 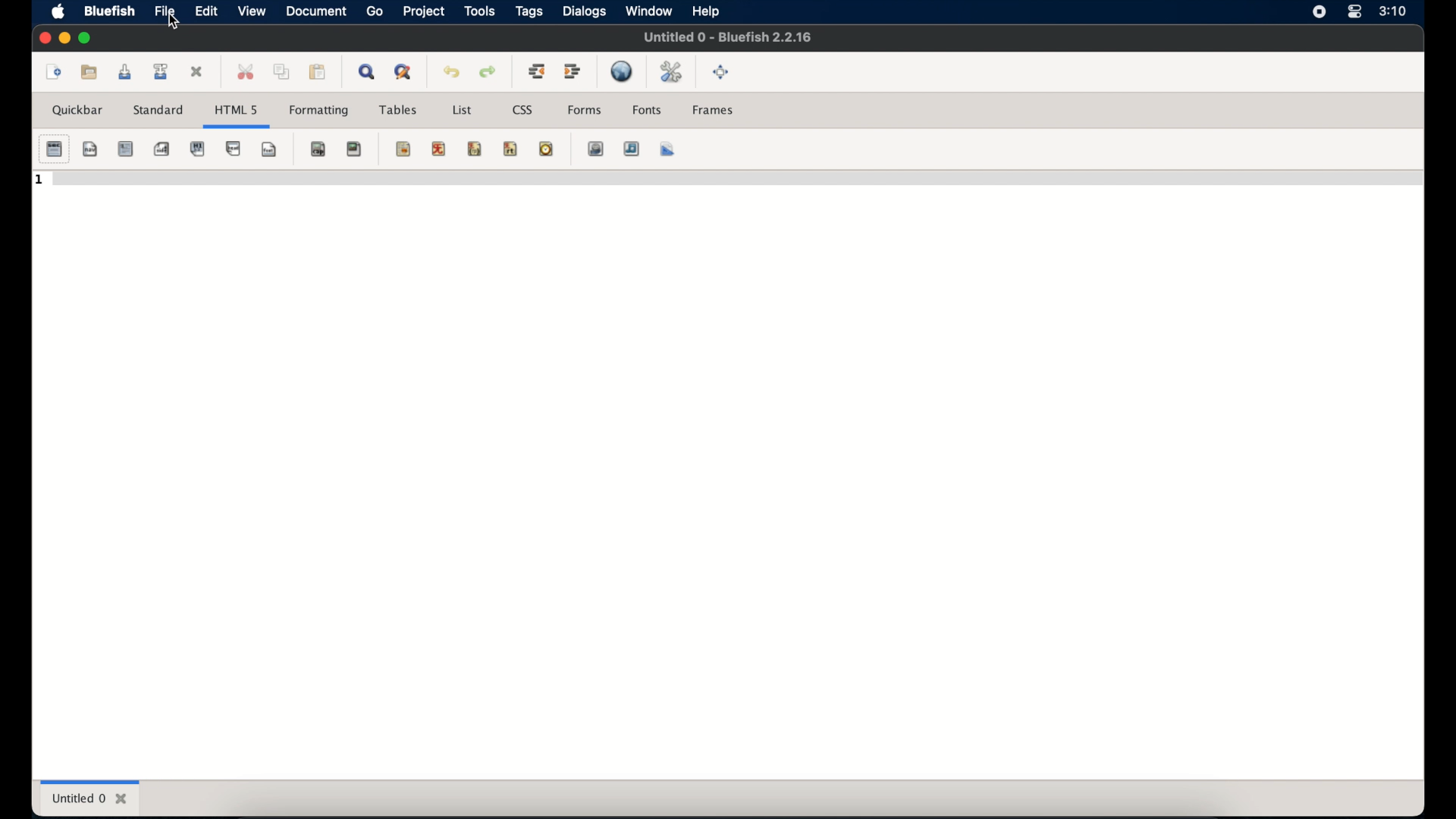 I want to click on project, so click(x=423, y=11).